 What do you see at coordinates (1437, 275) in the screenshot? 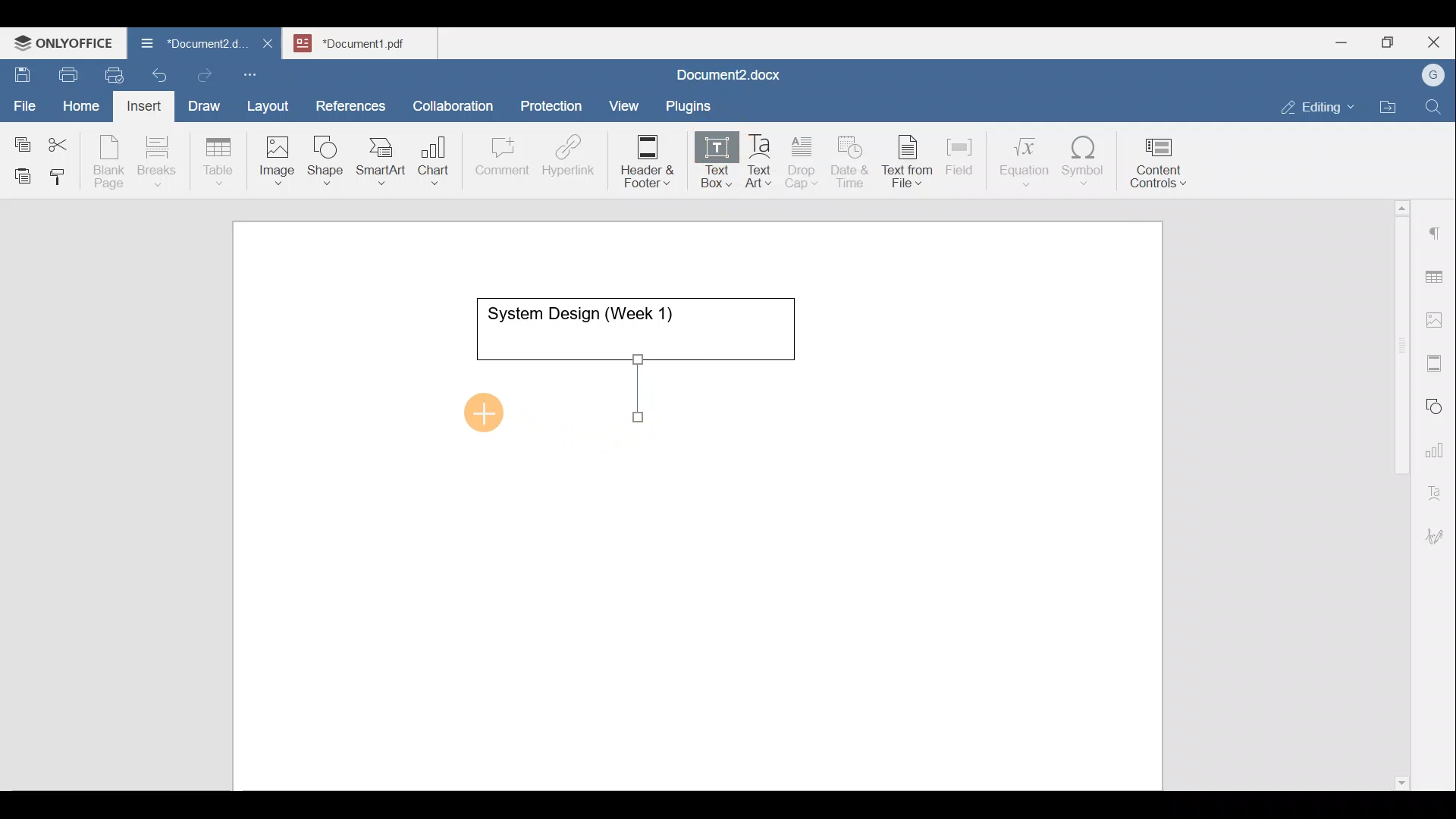
I see `Table settings` at bounding box center [1437, 275].